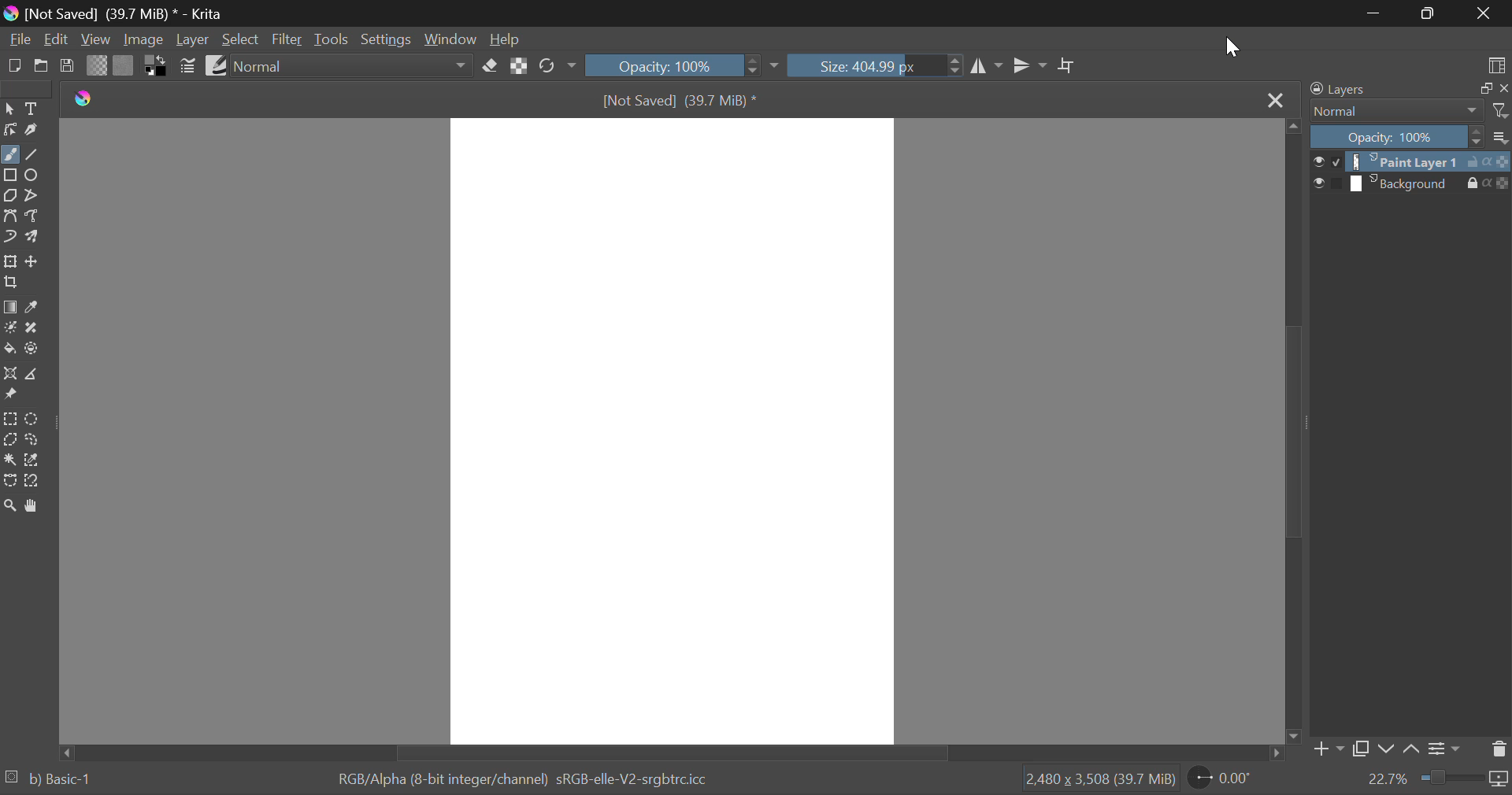  I want to click on Copy Layer, so click(1362, 749).